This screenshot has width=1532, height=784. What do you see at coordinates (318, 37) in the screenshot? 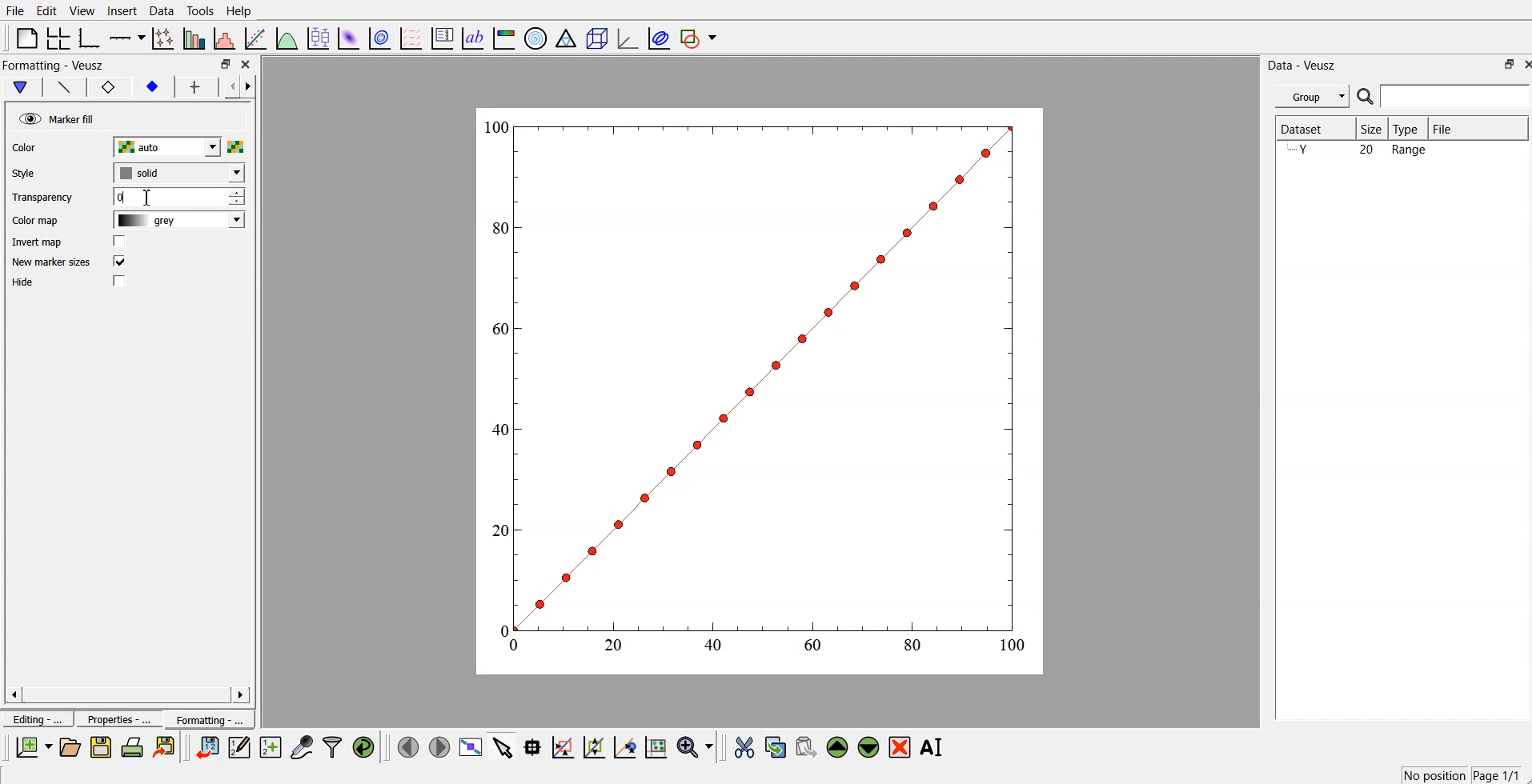
I see `plot box plots` at bounding box center [318, 37].